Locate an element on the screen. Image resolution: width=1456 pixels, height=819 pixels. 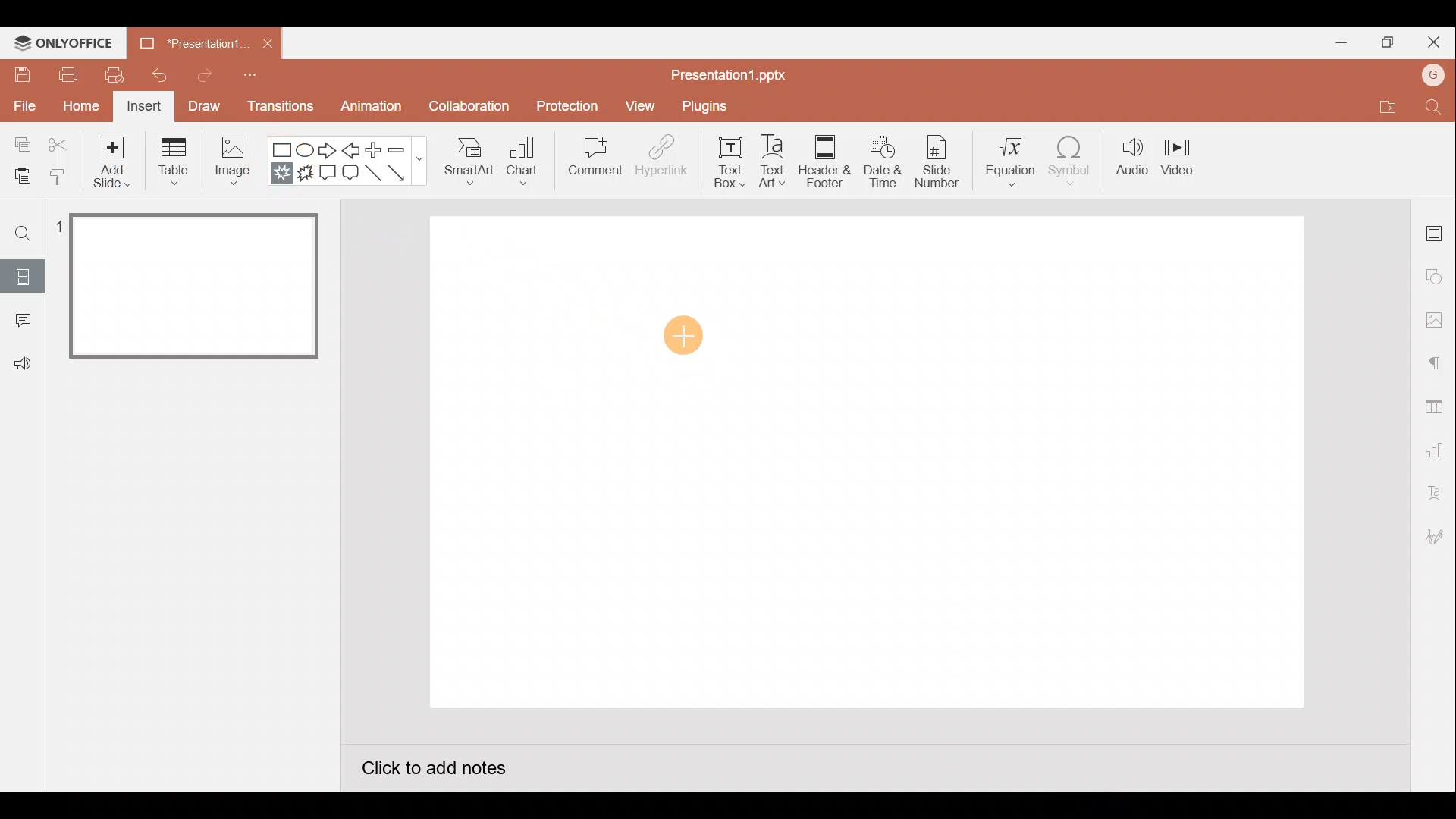
Comment is located at coordinates (597, 162).